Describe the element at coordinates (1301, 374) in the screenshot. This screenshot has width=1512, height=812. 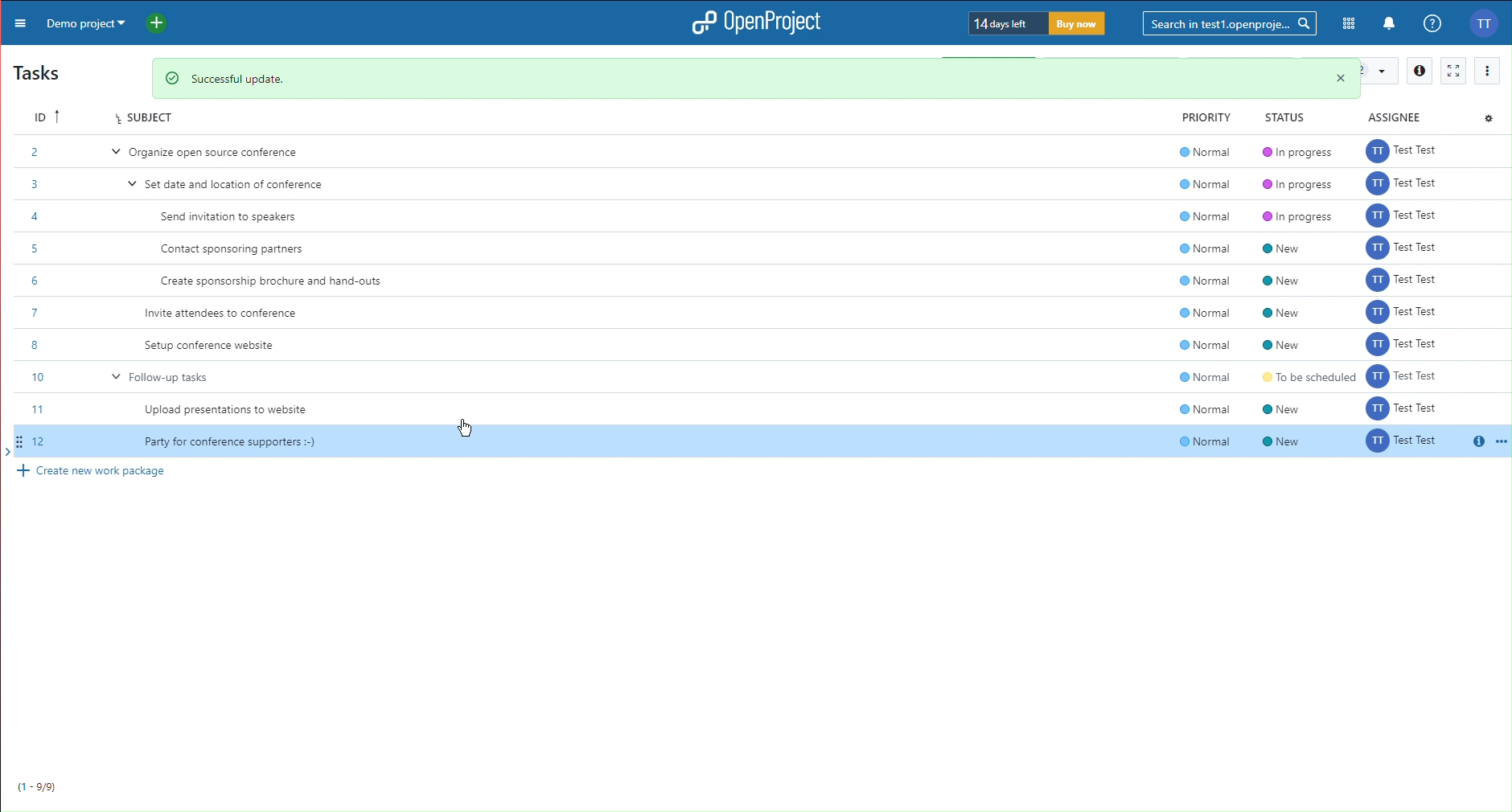
I see `to be scheduled` at that location.